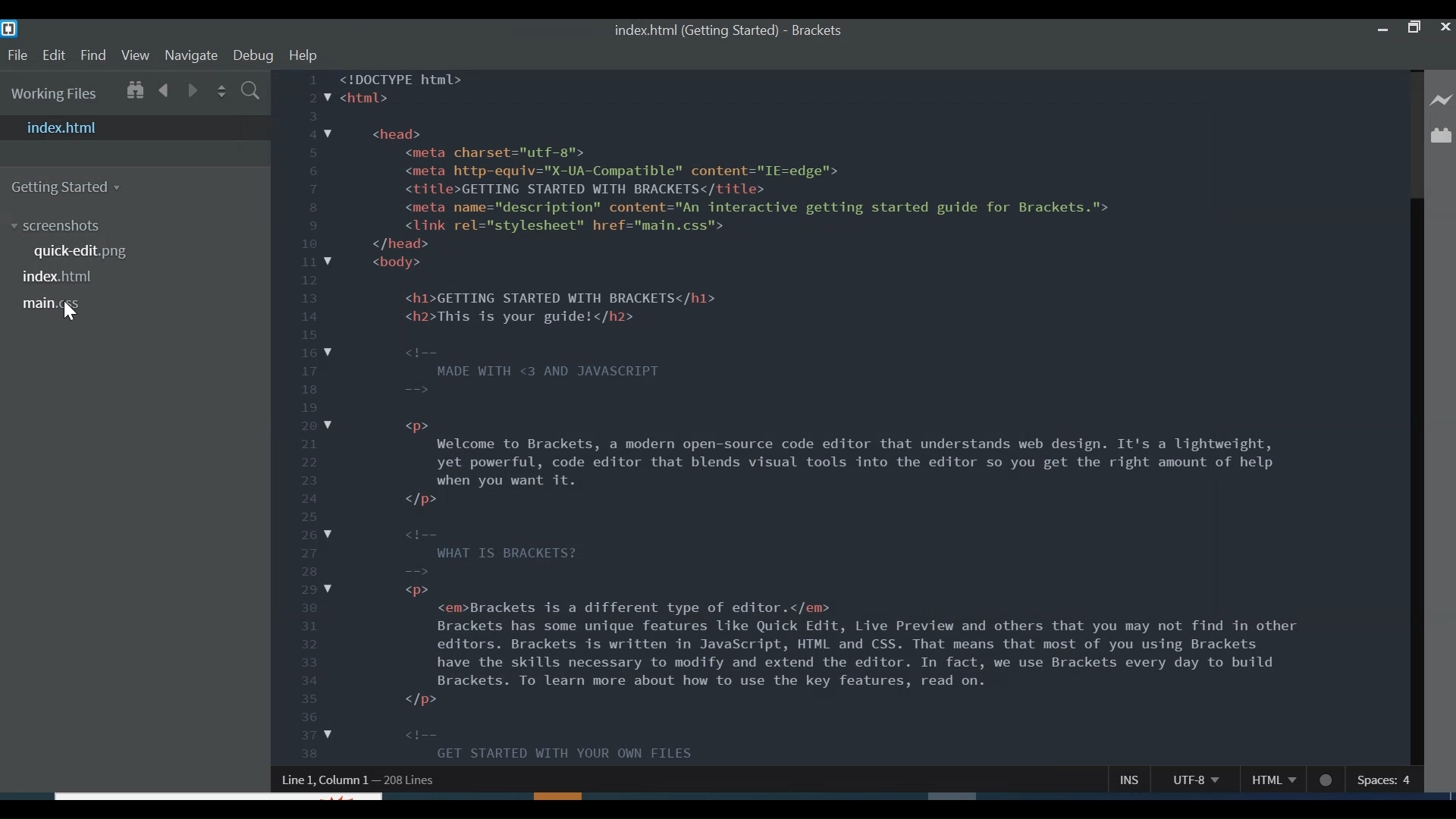 The width and height of the screenshot is (1456, 819). What do you see at coordinates (253, 55) in the screenshot?
I see `Debug` at bounding box center [253, 55].